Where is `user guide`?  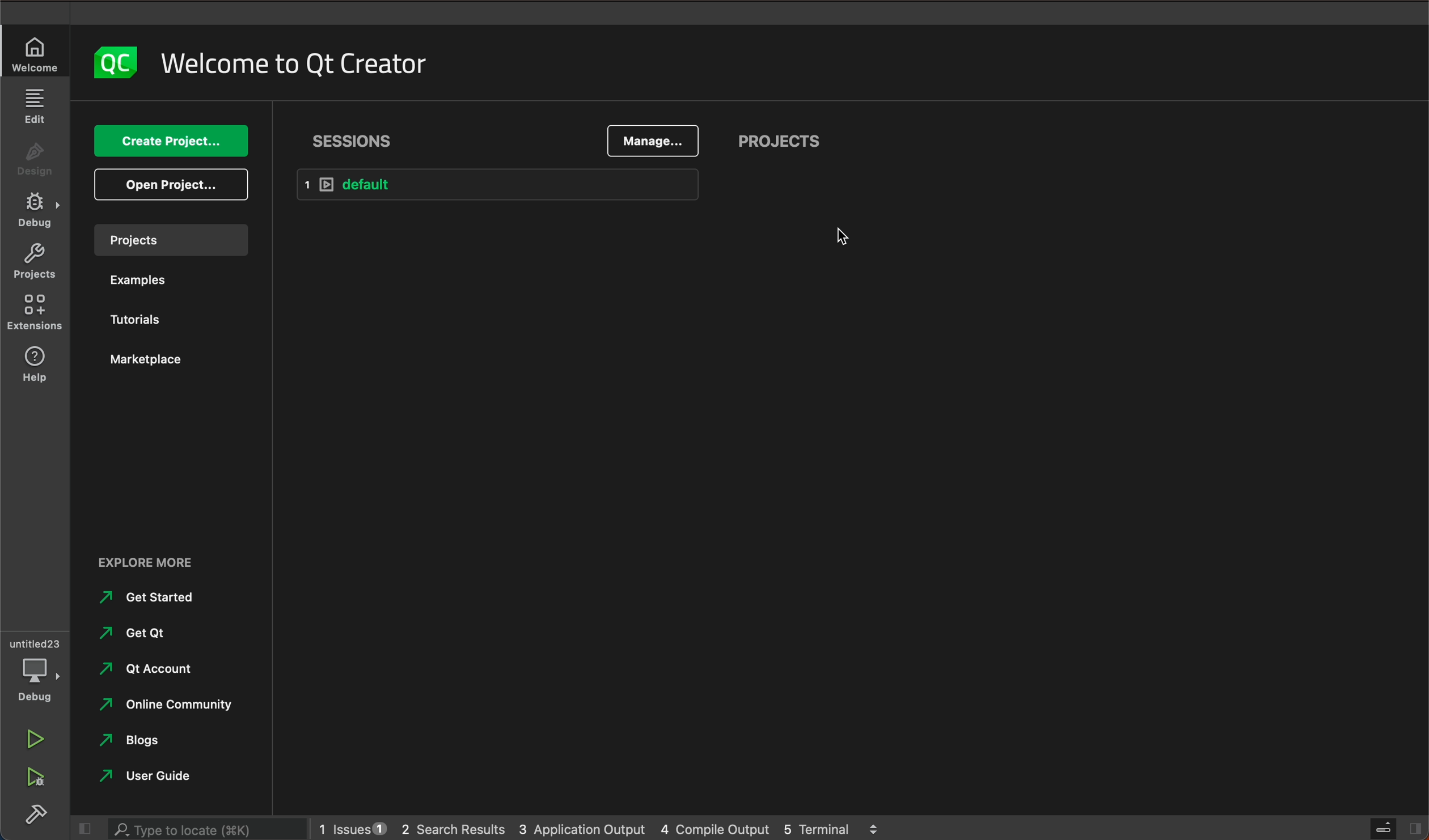 user guide is located at coordinates (158, 777).